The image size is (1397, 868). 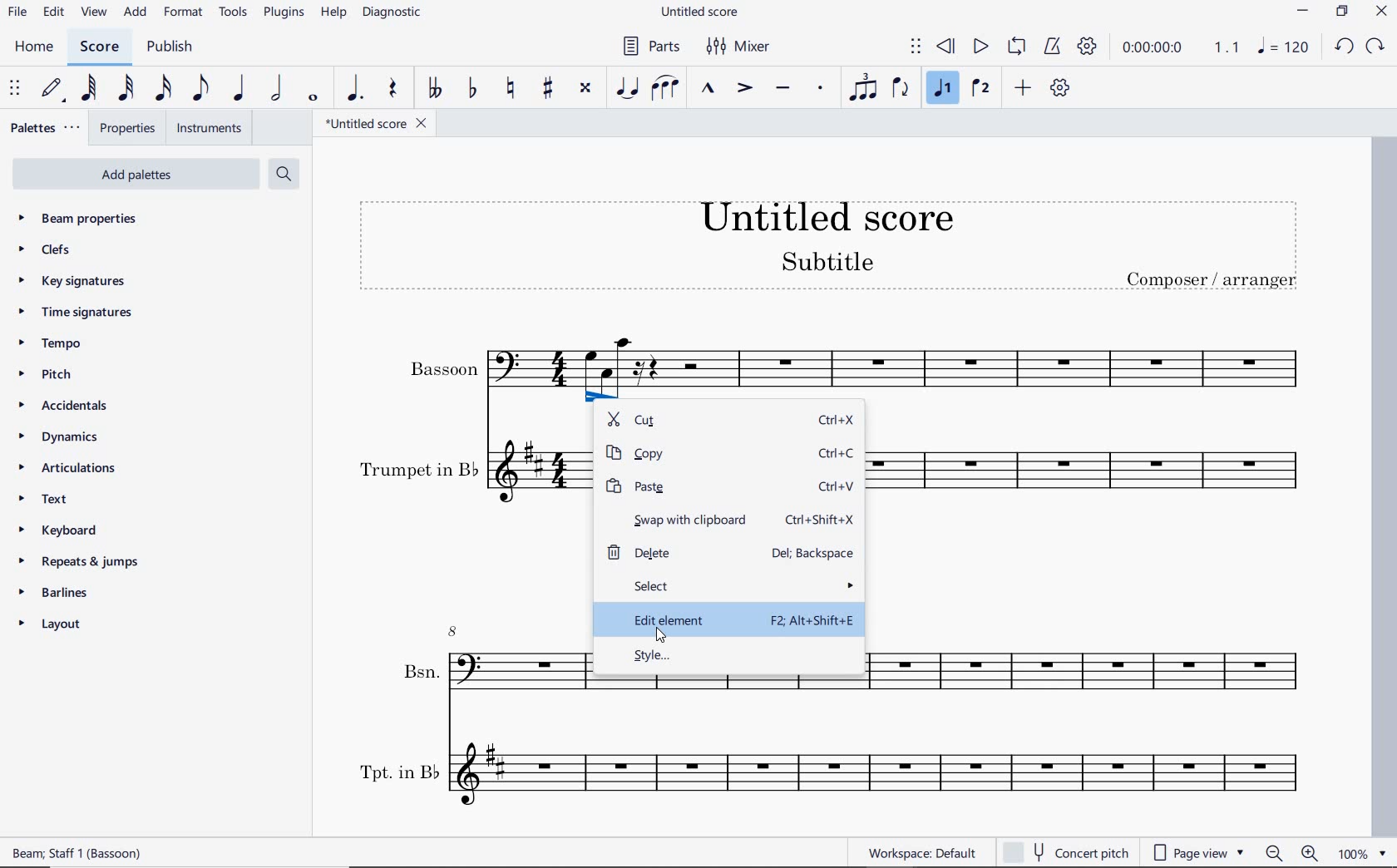 What do you see at coordinates (185, 13) in the screenshot?
I see `format` at bounding box center [185, 13].